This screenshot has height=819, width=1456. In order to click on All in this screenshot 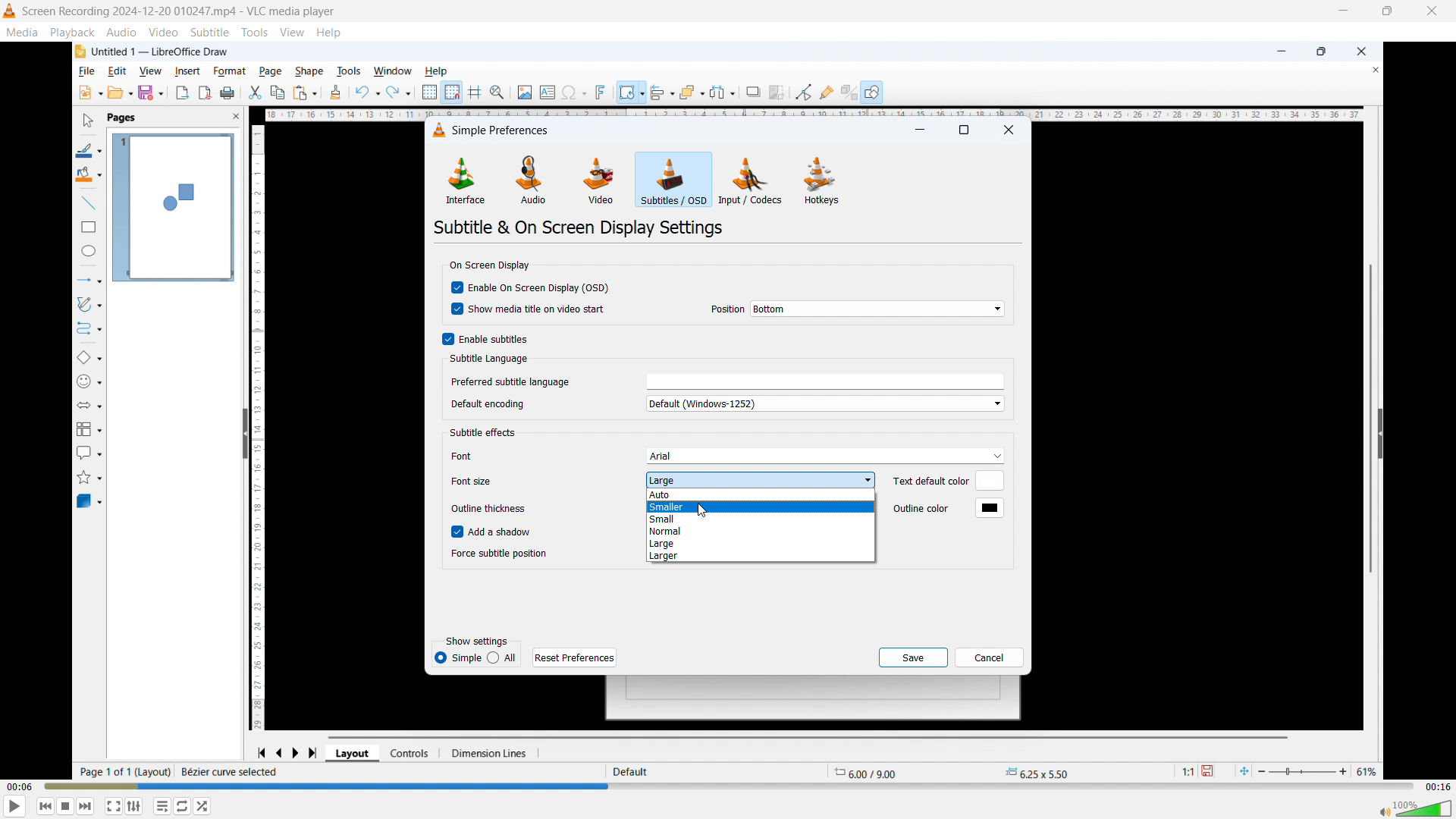, I will do `click(504, 658)`.